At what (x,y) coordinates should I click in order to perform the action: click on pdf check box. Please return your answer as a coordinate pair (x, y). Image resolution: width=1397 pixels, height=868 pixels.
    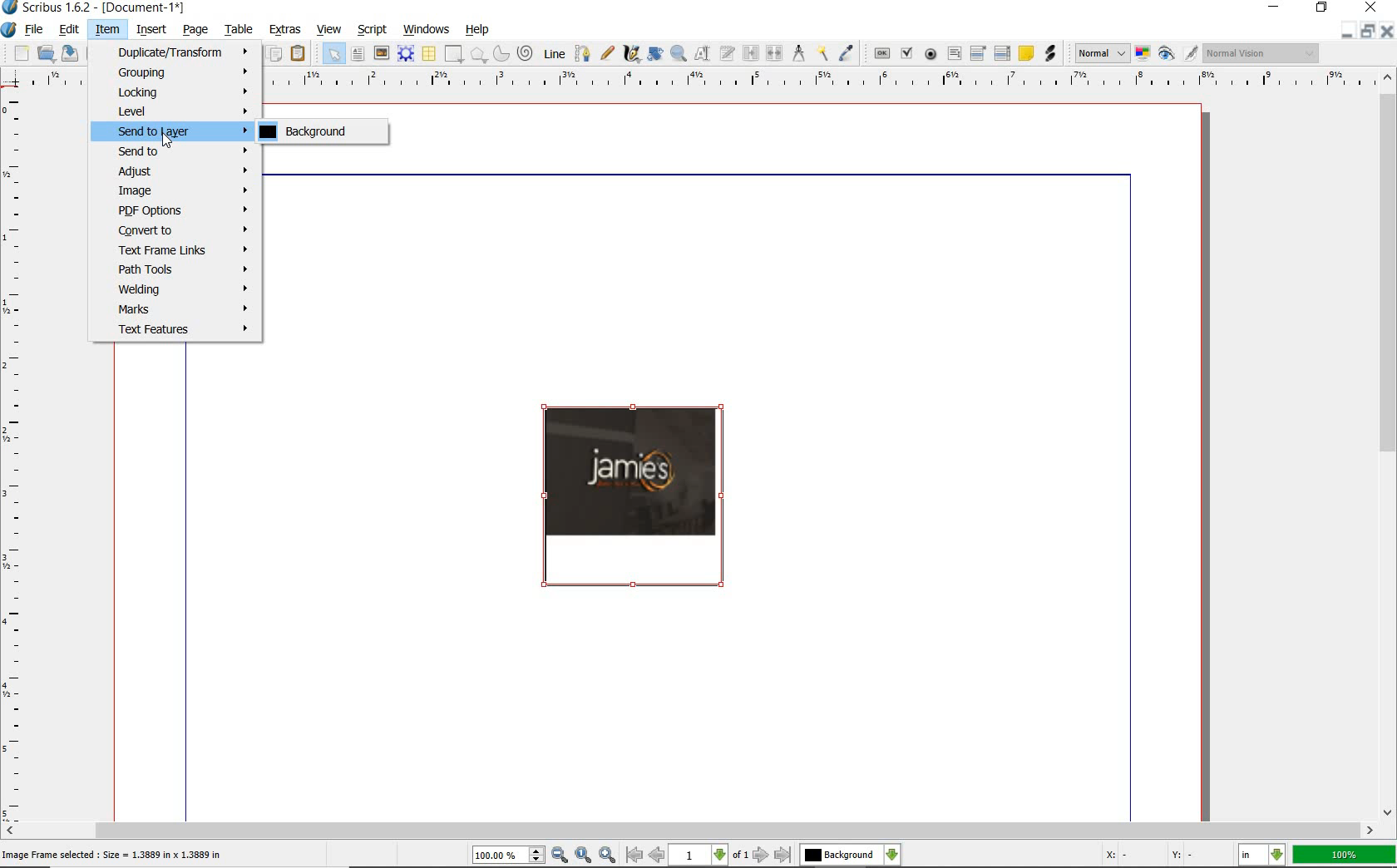
    Looking at the image, I should click on (906, 54).